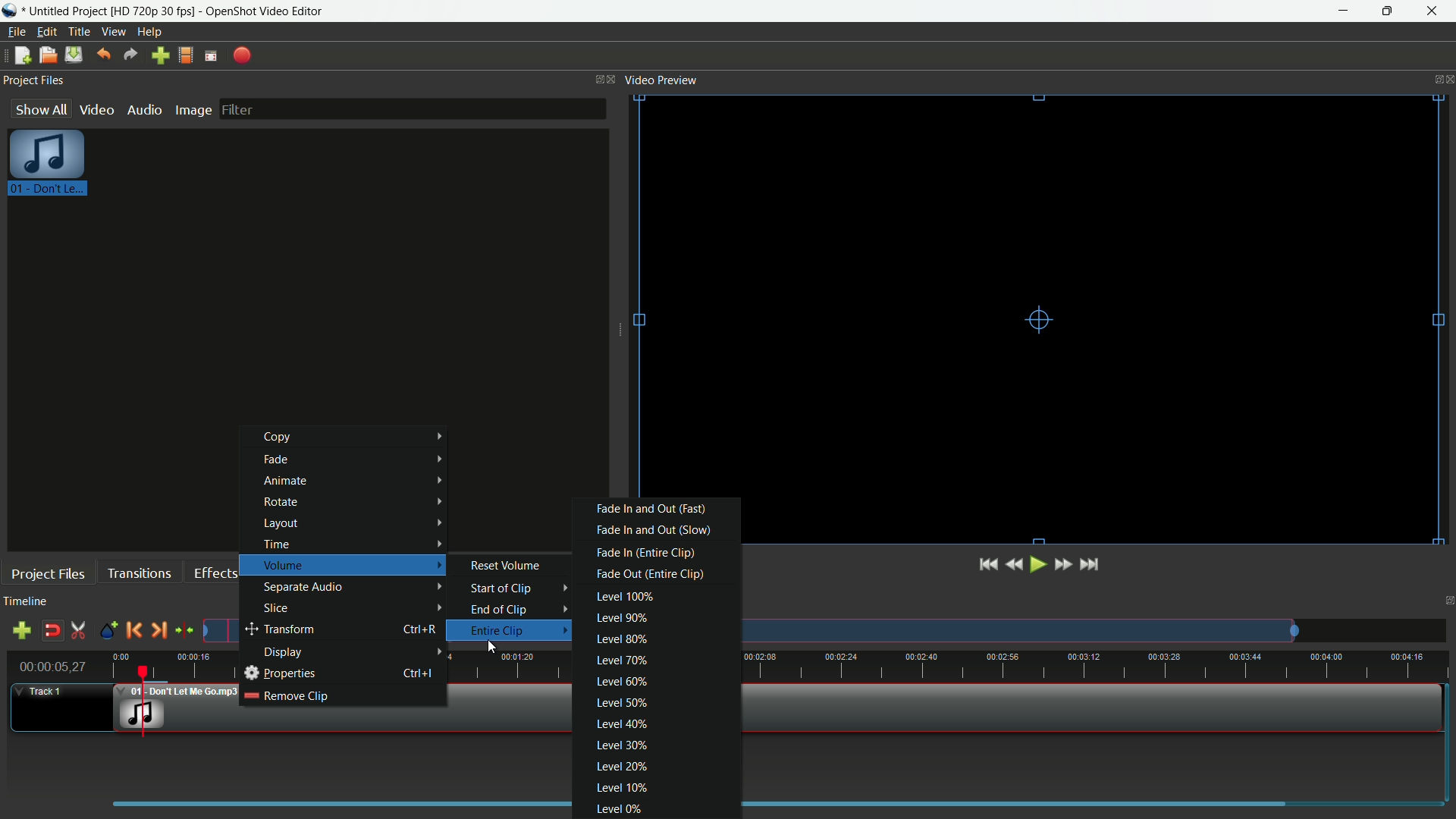  What do you see at coordinates (96, 110) in the screenshot?
I see `video` at bounding box center [96, 110].